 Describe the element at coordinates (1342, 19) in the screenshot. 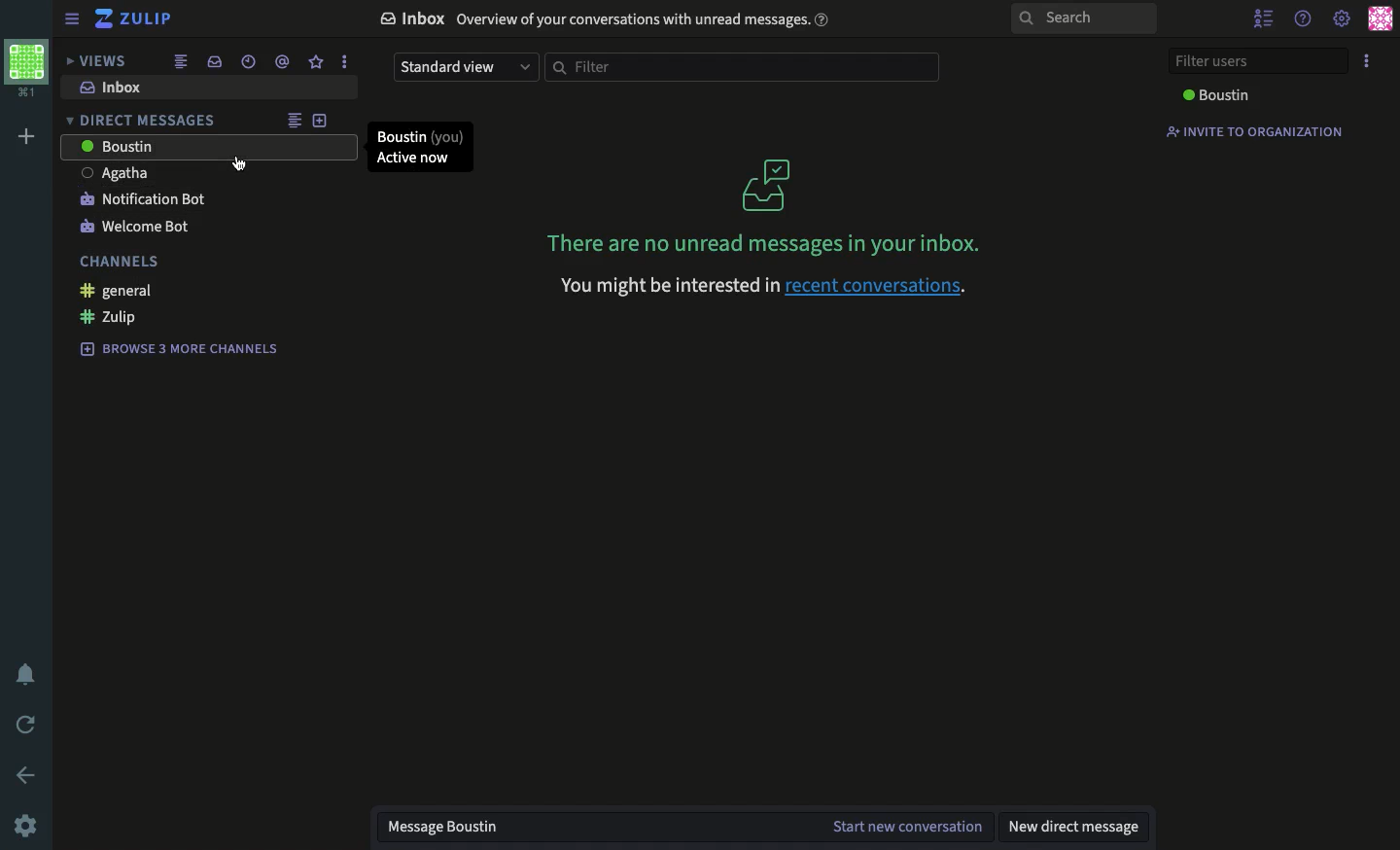

I see `settings` at that location.